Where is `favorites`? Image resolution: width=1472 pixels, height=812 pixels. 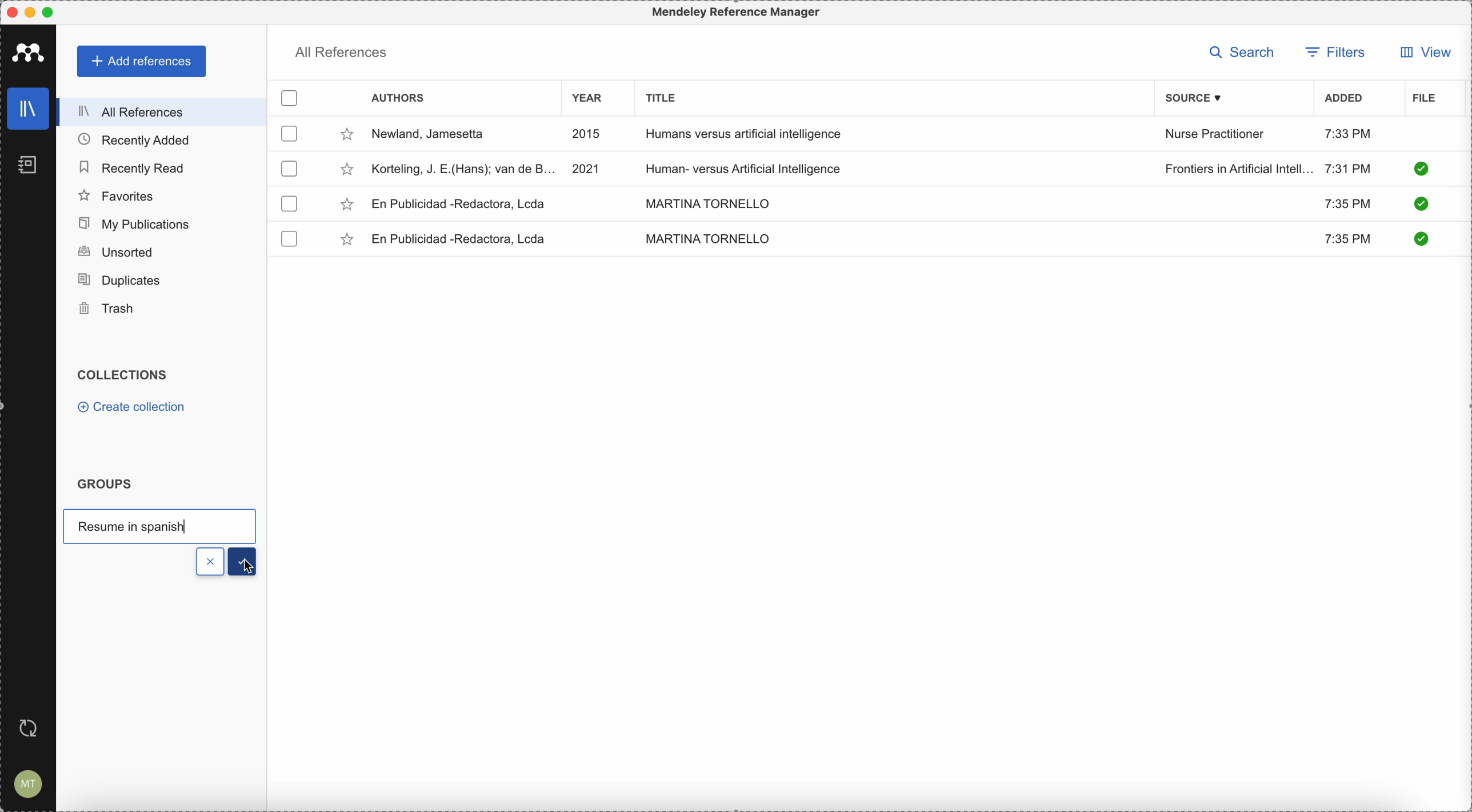
favorites is located at coordinates (117, 196).